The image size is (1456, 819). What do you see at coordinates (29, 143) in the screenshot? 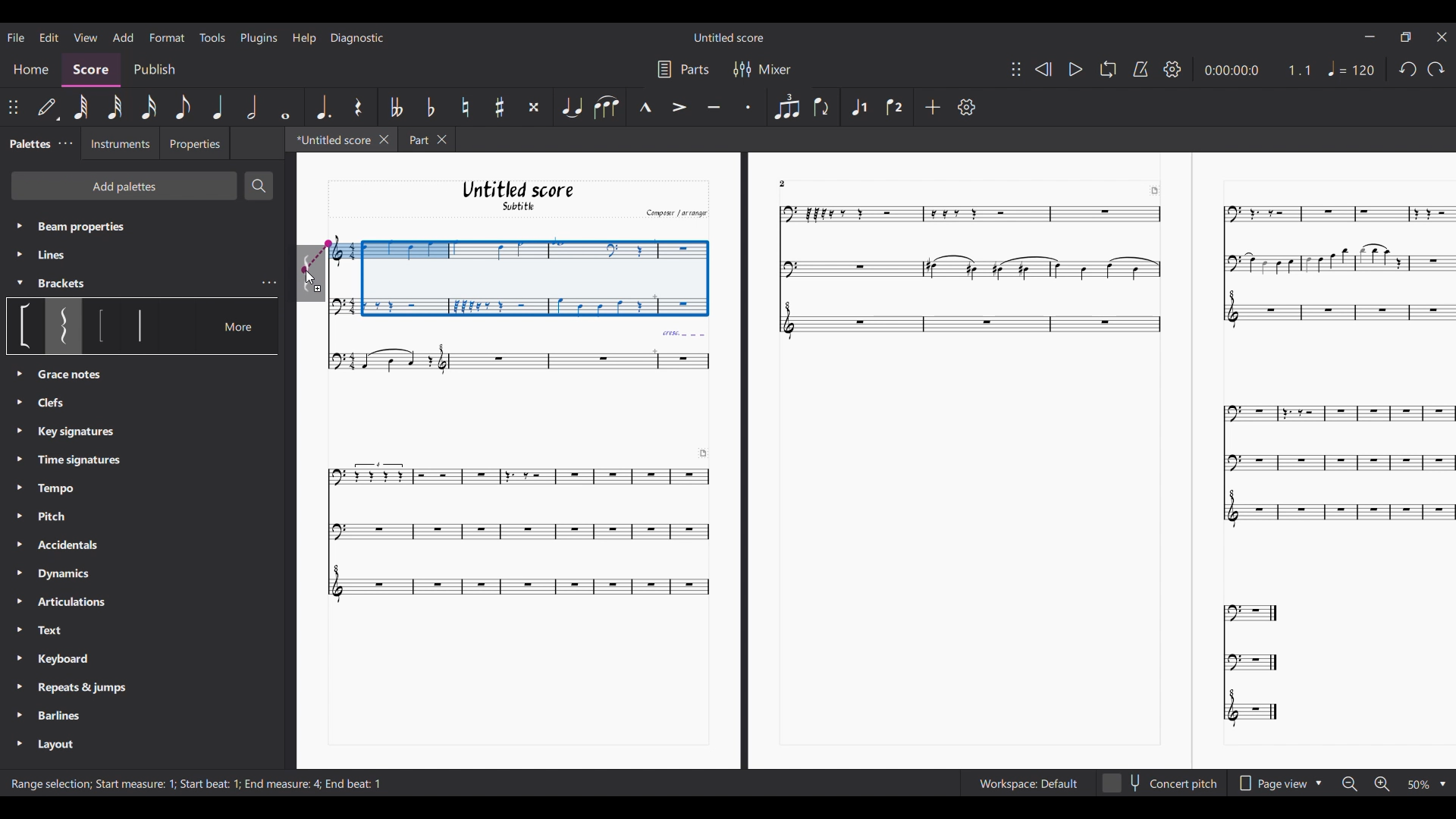
I see `Palette tab` at bounding box center [29, 143].